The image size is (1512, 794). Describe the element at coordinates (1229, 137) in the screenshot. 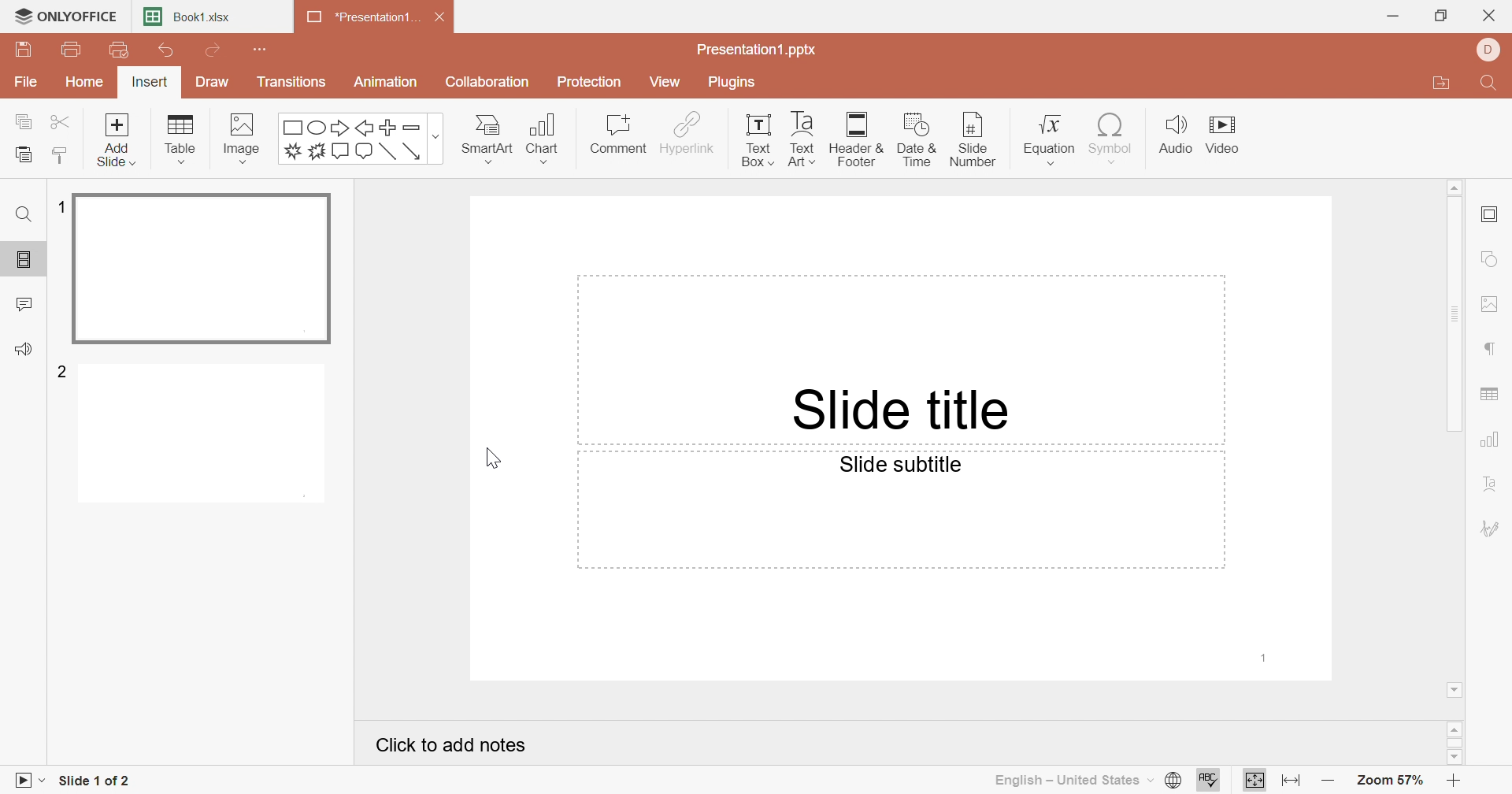

I see `Video` at that location.